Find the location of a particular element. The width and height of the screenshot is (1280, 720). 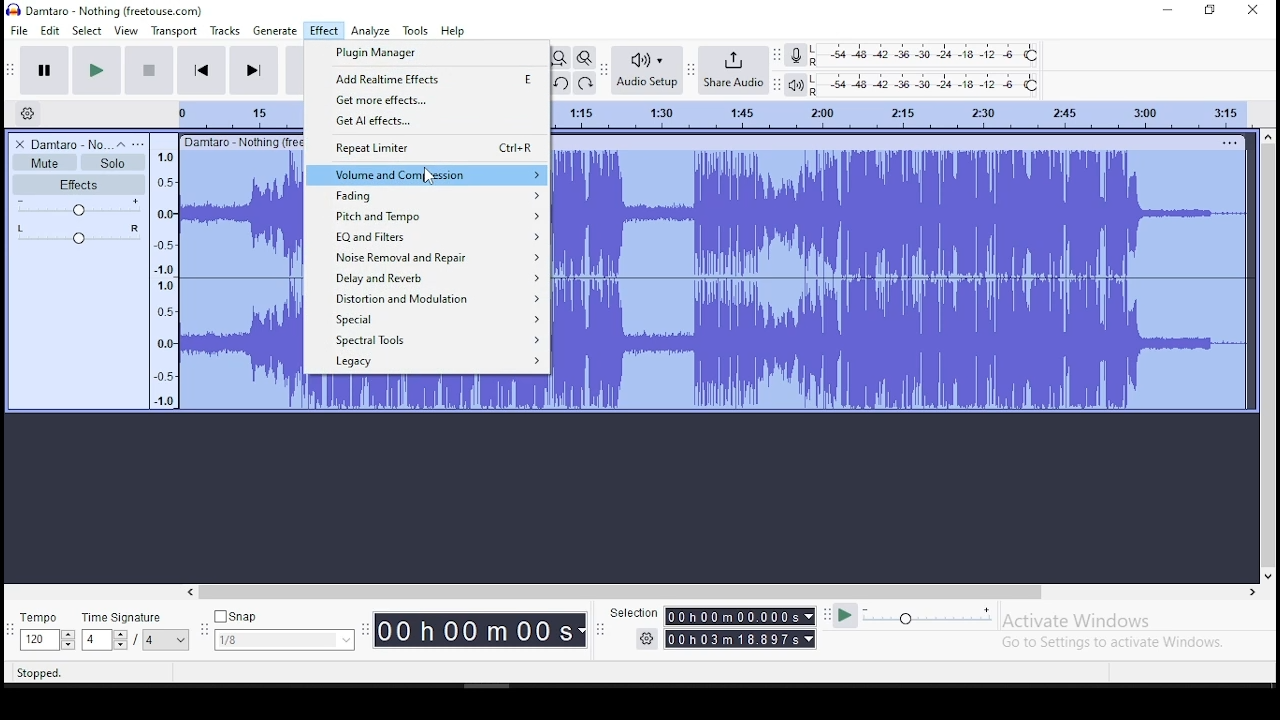

effects is located at coordinates (81, 184).